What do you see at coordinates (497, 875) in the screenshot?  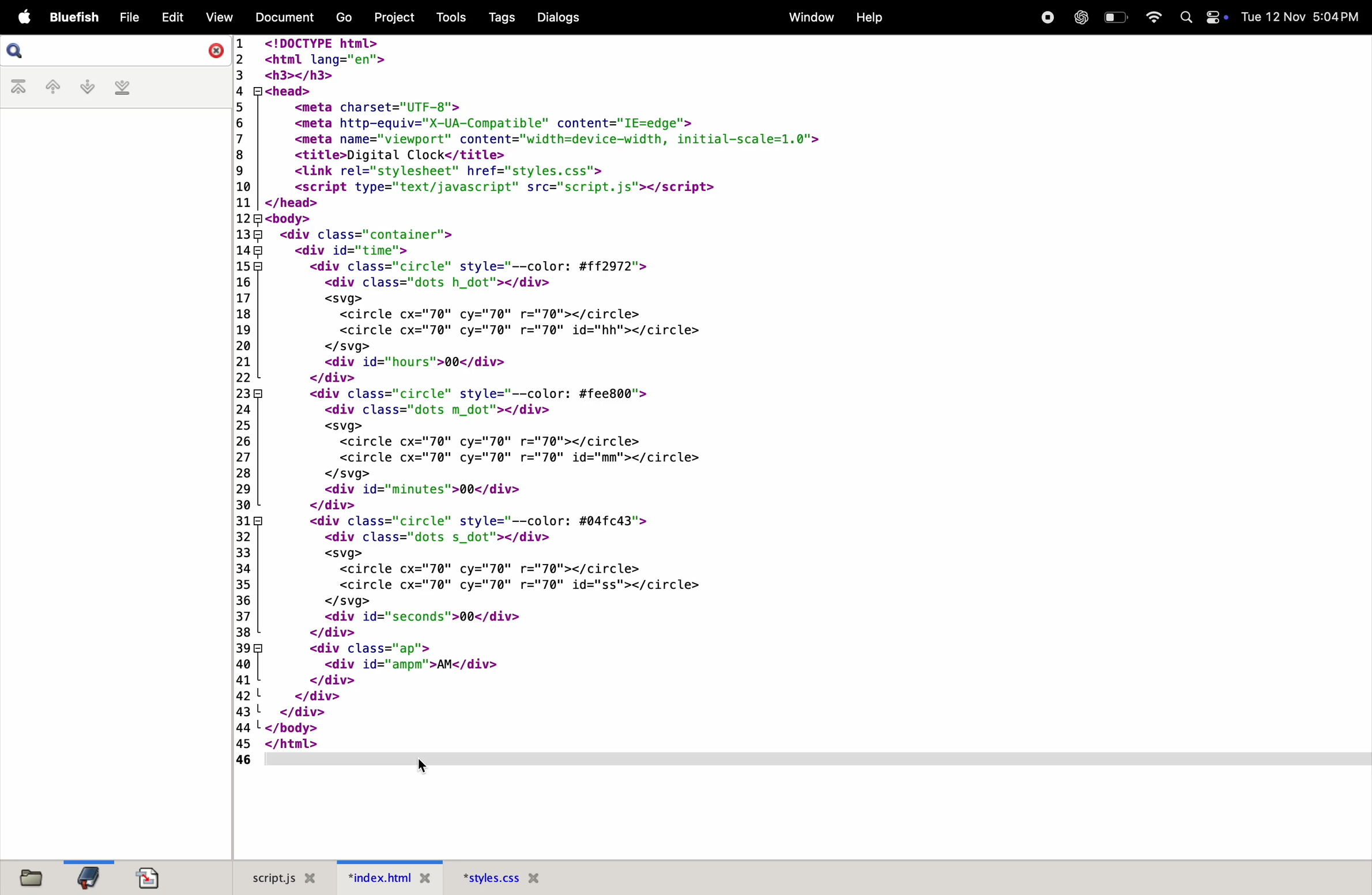 I see `style.css` at bounding box center [497, 875].